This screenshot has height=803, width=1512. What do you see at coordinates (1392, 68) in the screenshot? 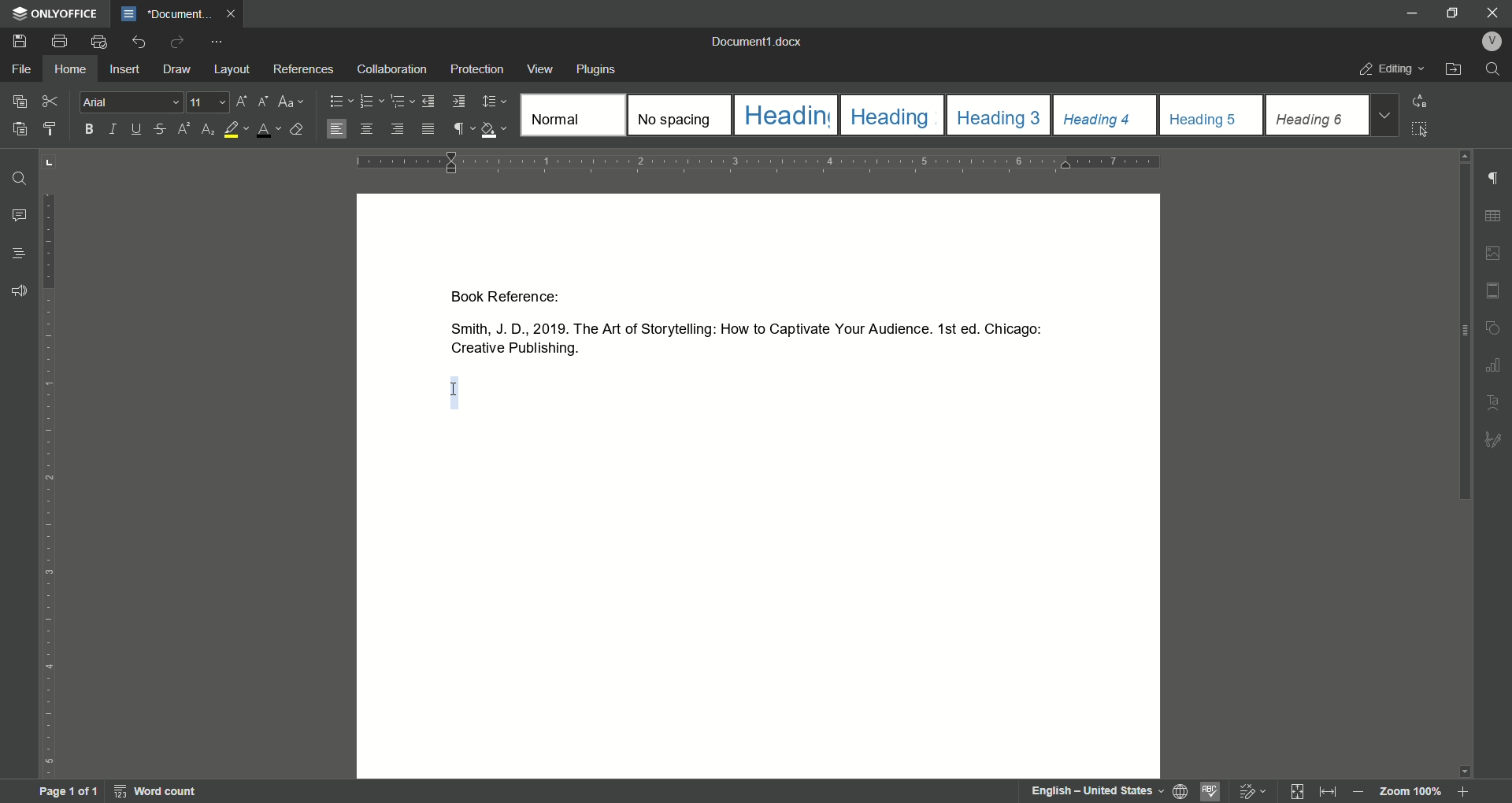
I see `editing` at bounding box center [1392, 68].